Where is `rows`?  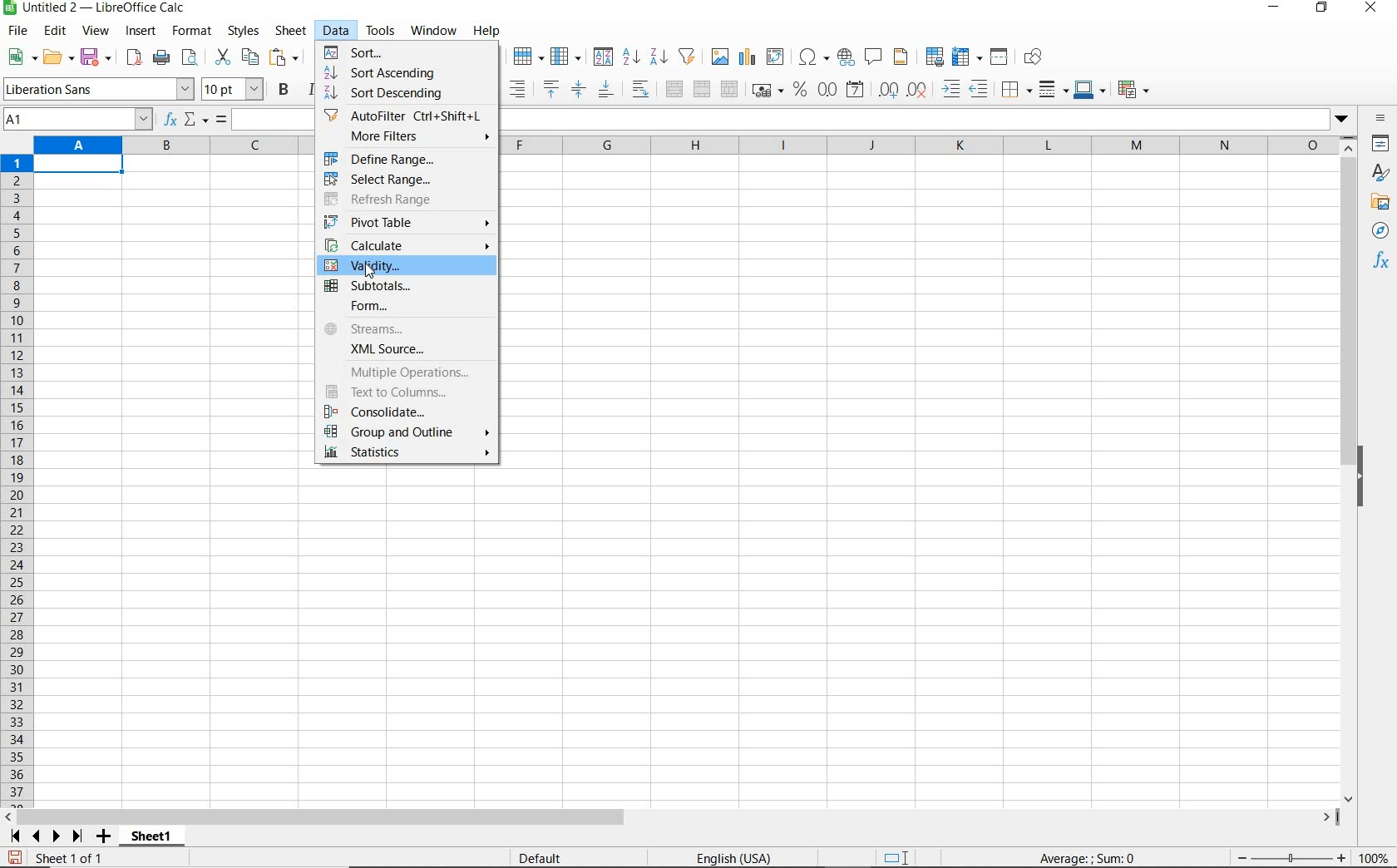 rows is located at coordinates (17, 481).